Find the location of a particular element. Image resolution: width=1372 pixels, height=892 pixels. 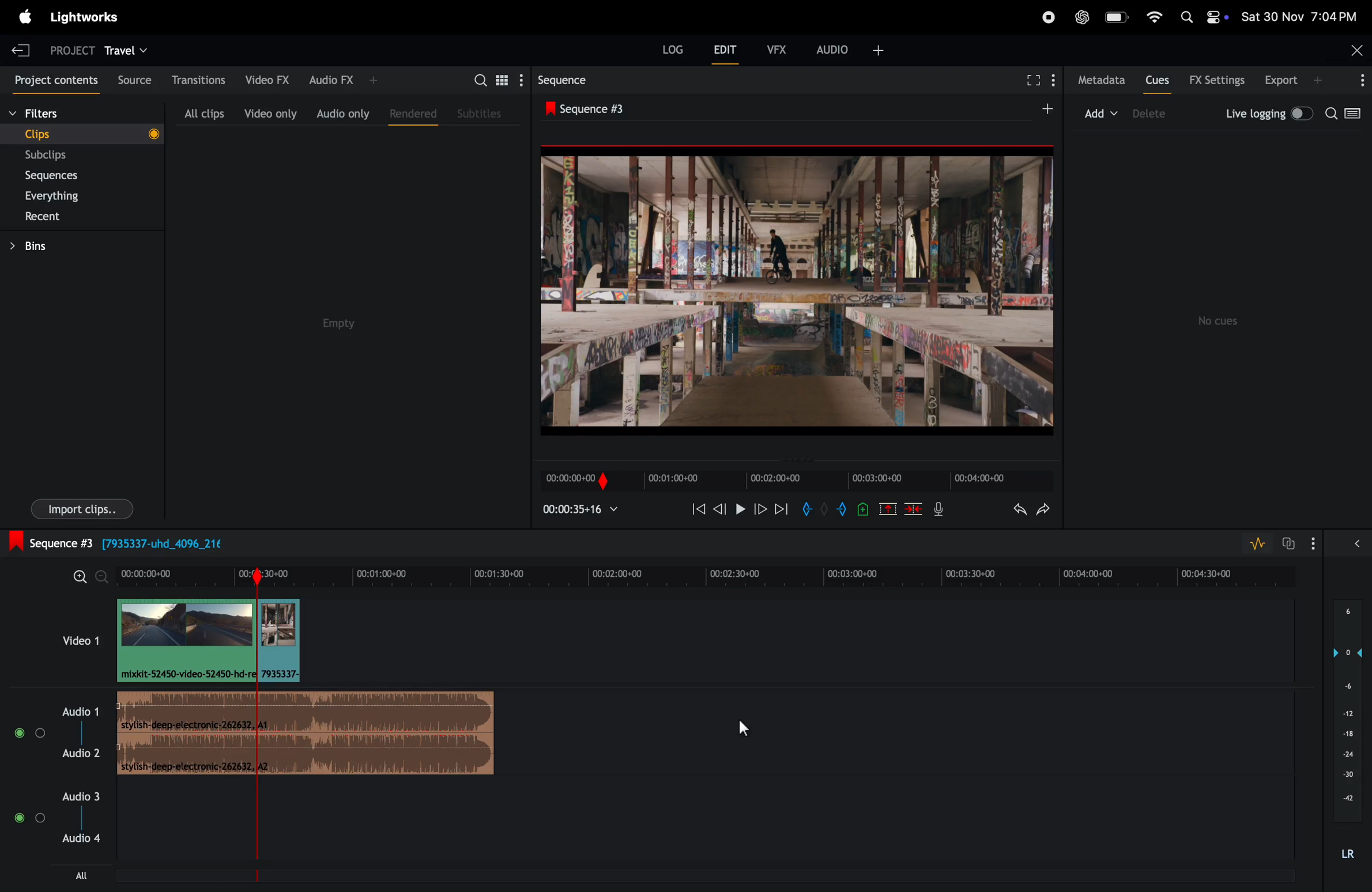

subclips is located at coordinates (64, 155).